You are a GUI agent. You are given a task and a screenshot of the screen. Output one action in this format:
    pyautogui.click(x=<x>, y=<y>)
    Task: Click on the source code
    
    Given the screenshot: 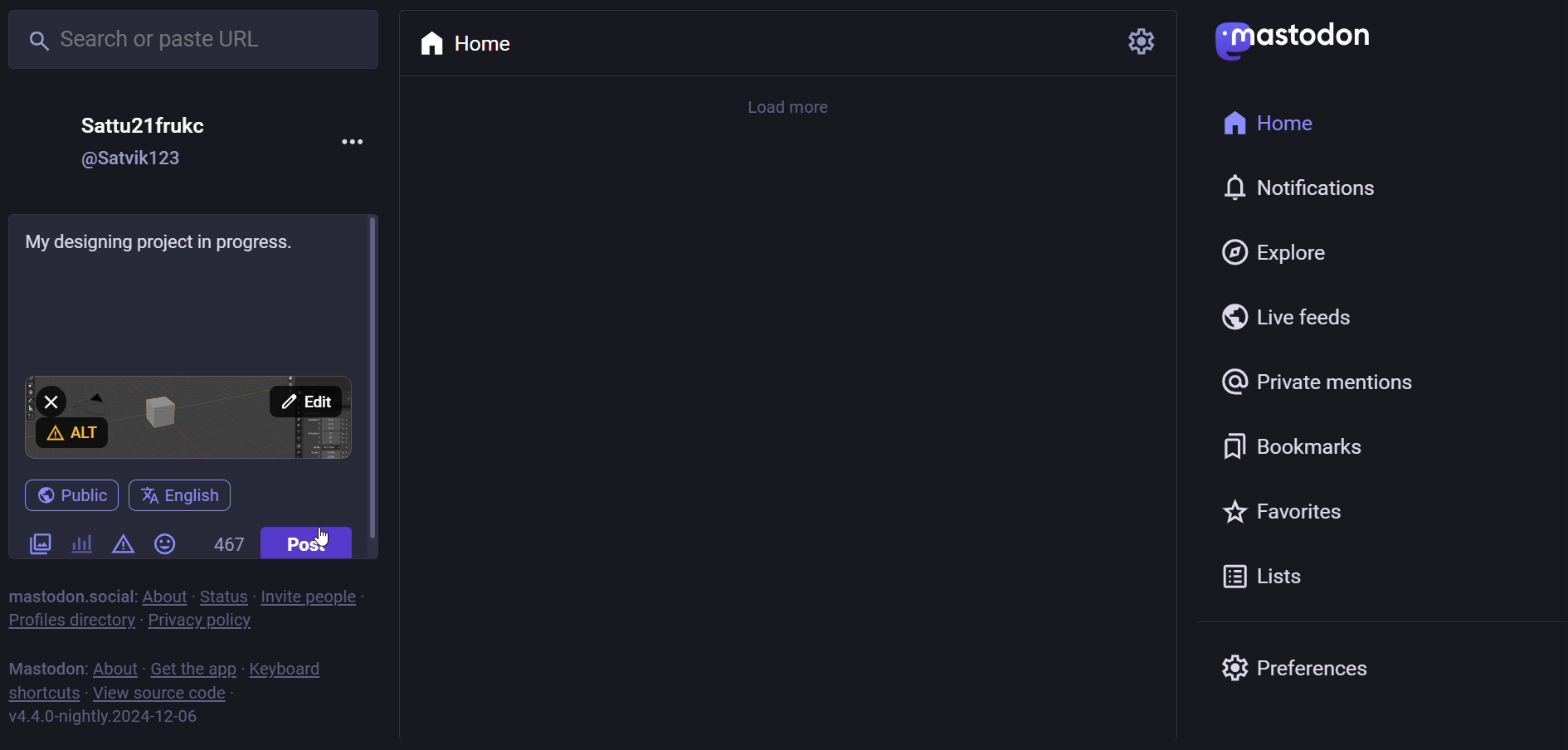 What is the action you would take?
    pyautogui.click(x=160, y=695)
    